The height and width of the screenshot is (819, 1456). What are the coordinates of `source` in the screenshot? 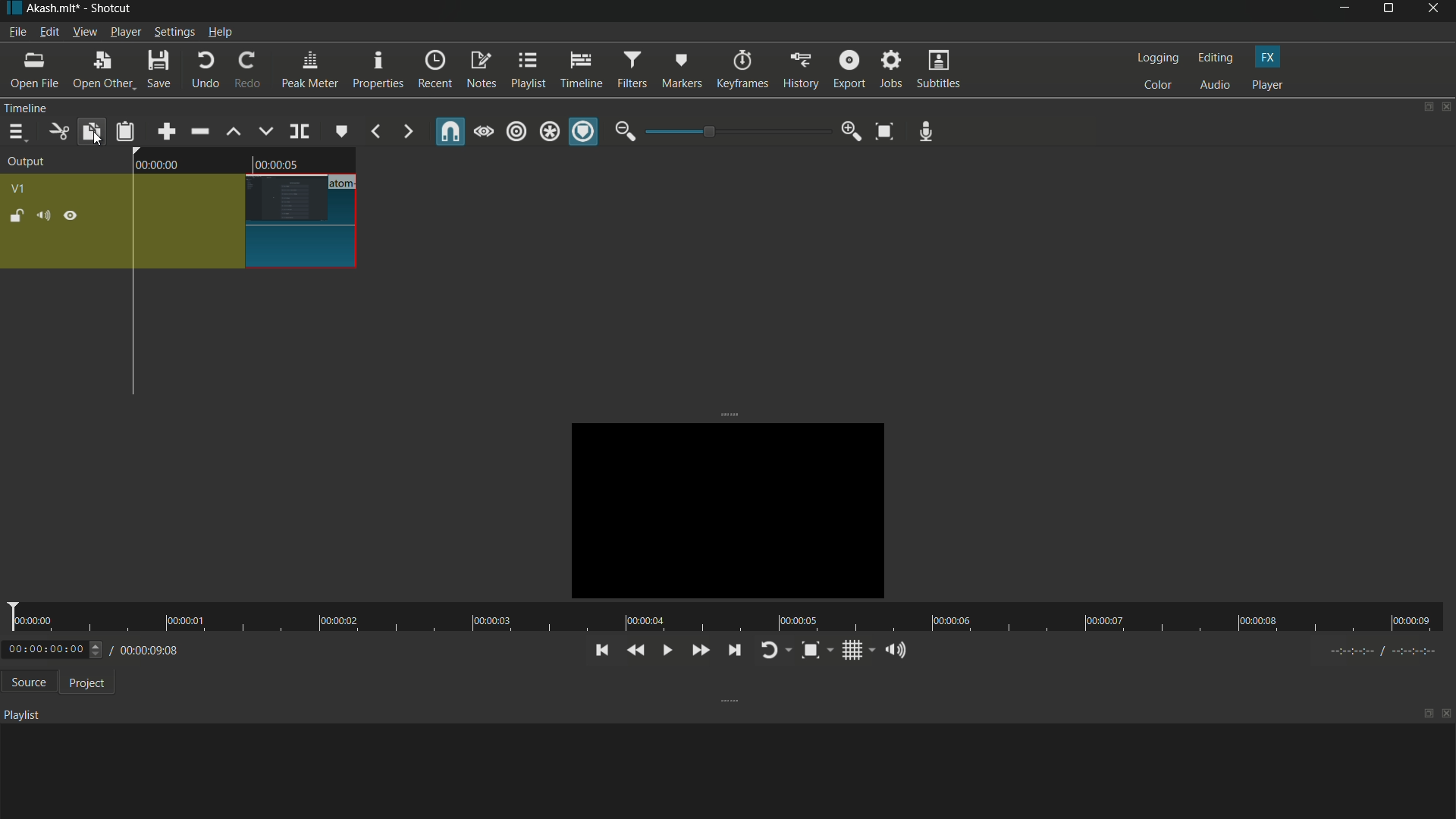 It's located at (25, 682).